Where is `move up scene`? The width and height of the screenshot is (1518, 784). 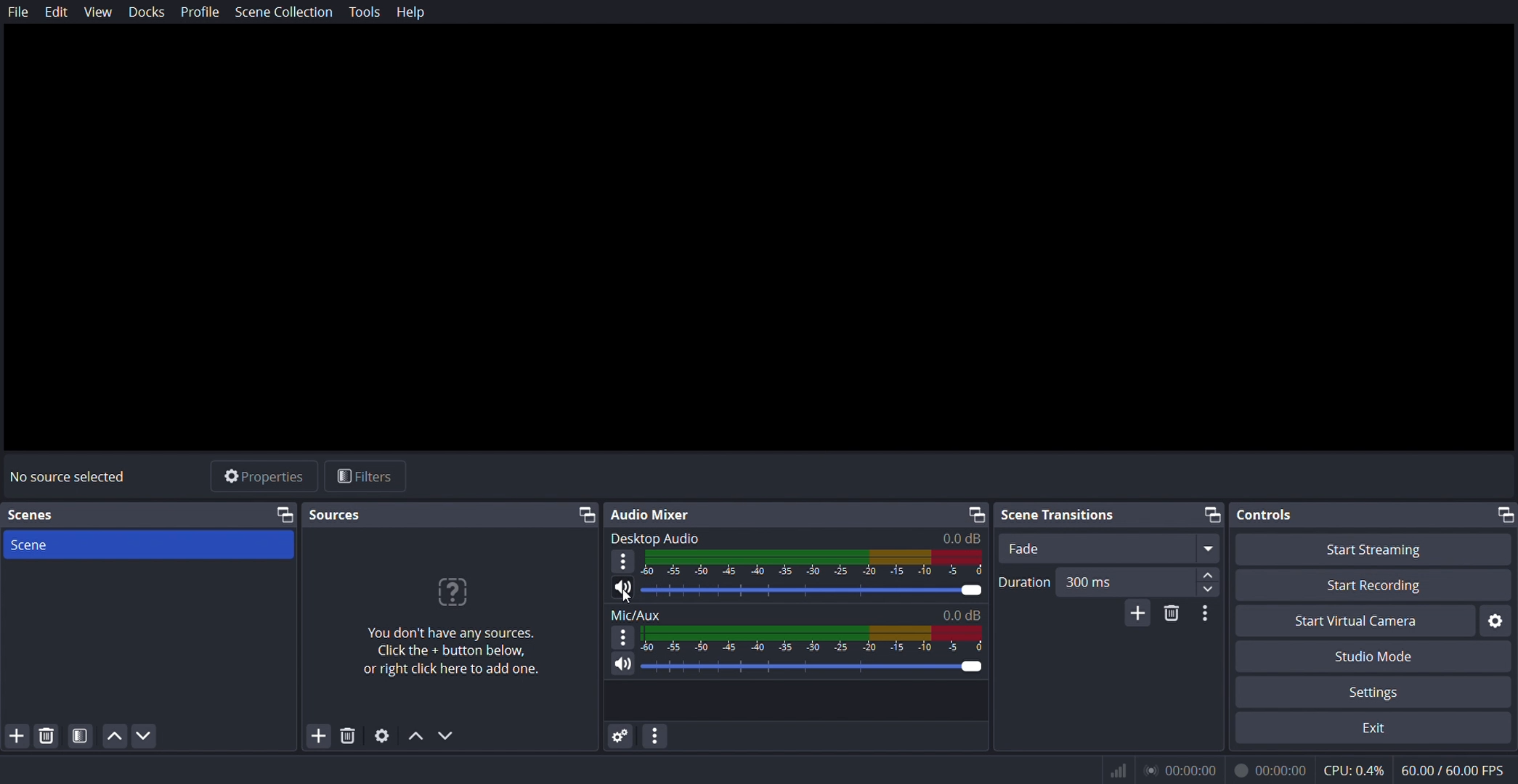 move up scene is located at coordinates (115, 735).